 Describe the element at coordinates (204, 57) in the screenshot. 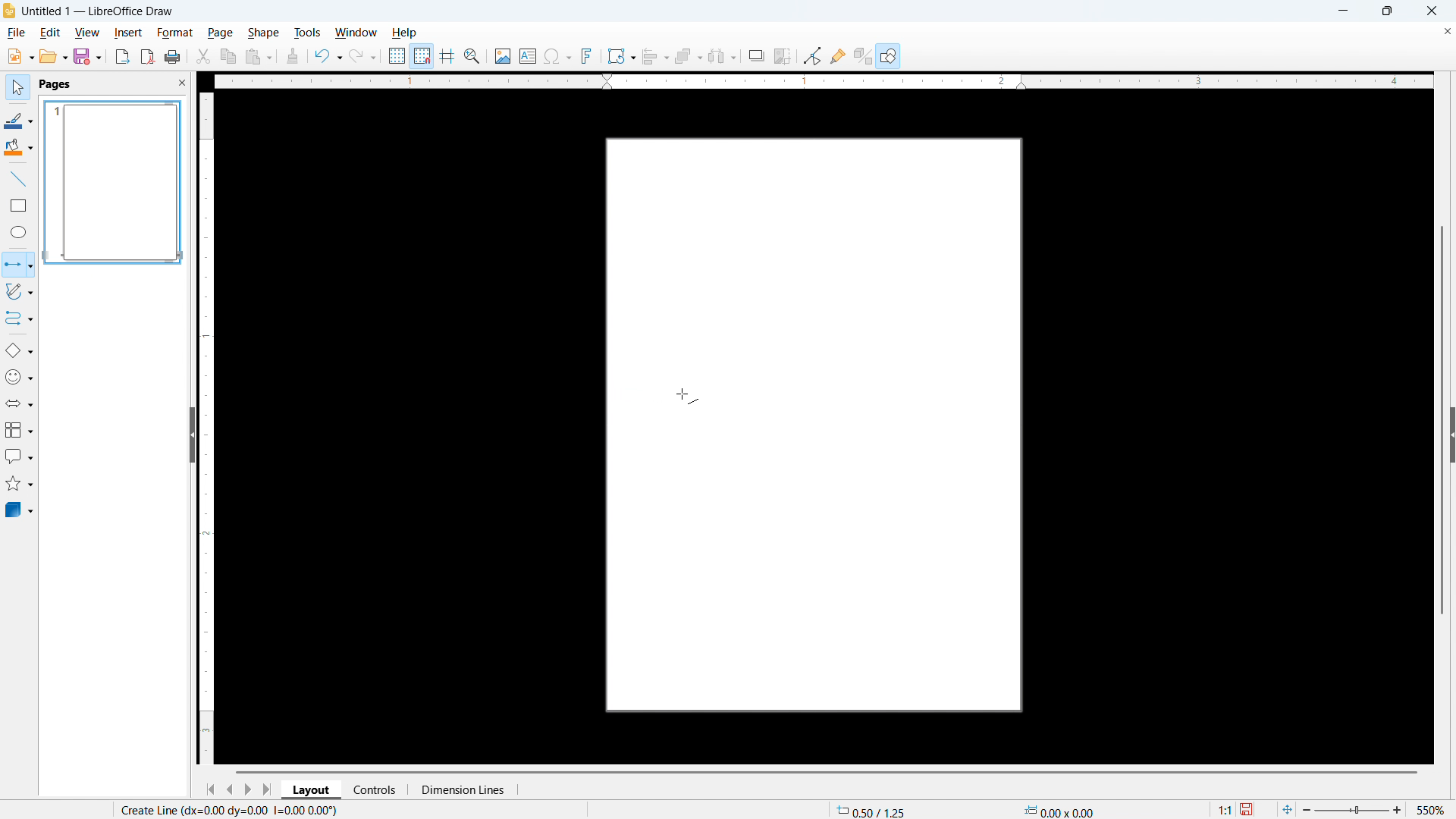

I see `Cut  ` at that location.